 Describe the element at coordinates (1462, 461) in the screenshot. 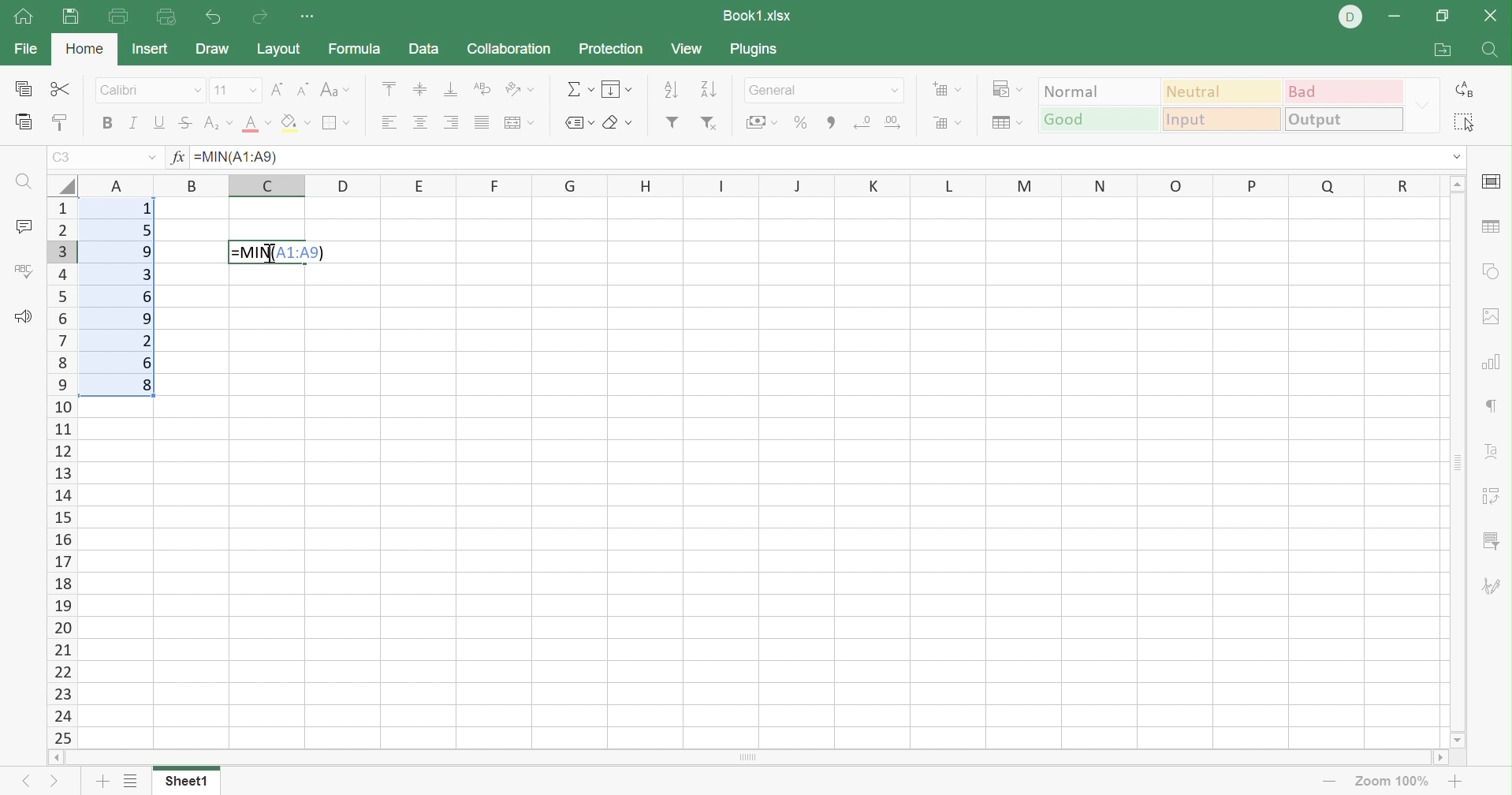

I see `Scroll Bar` at that location.